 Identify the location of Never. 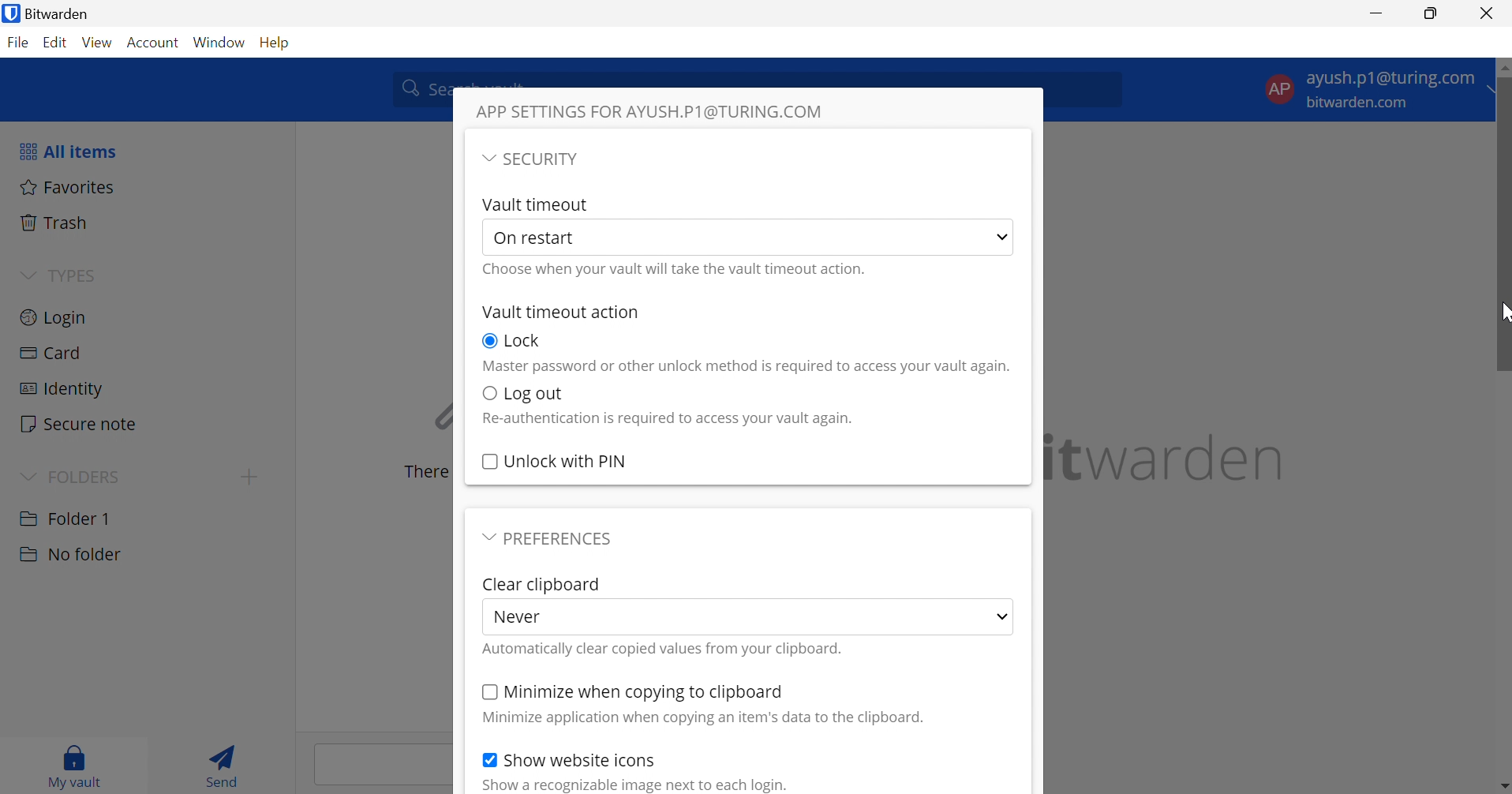
(518, 618).